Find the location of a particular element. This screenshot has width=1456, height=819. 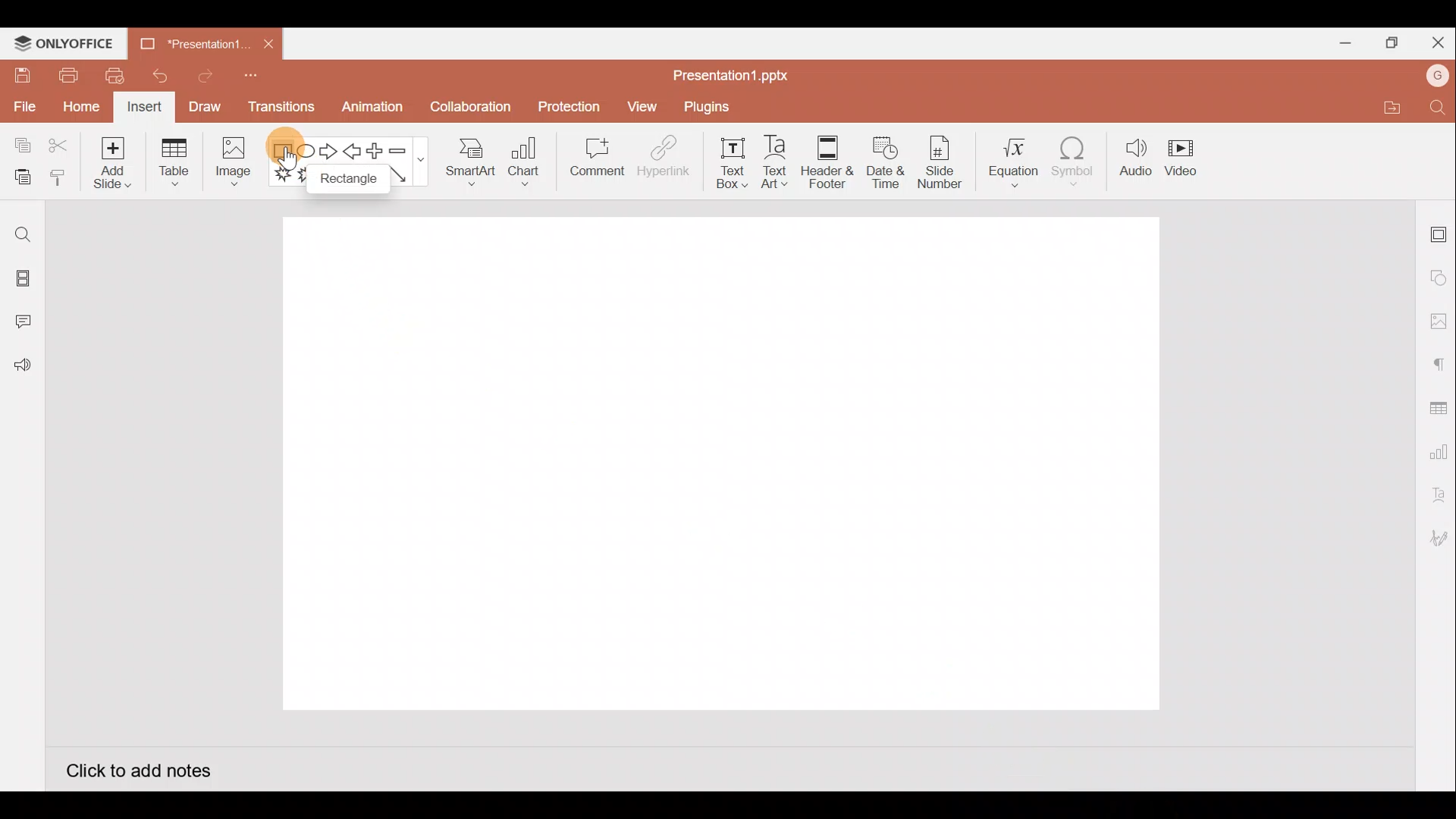

Right arrow is located at coordinates (328, 152).